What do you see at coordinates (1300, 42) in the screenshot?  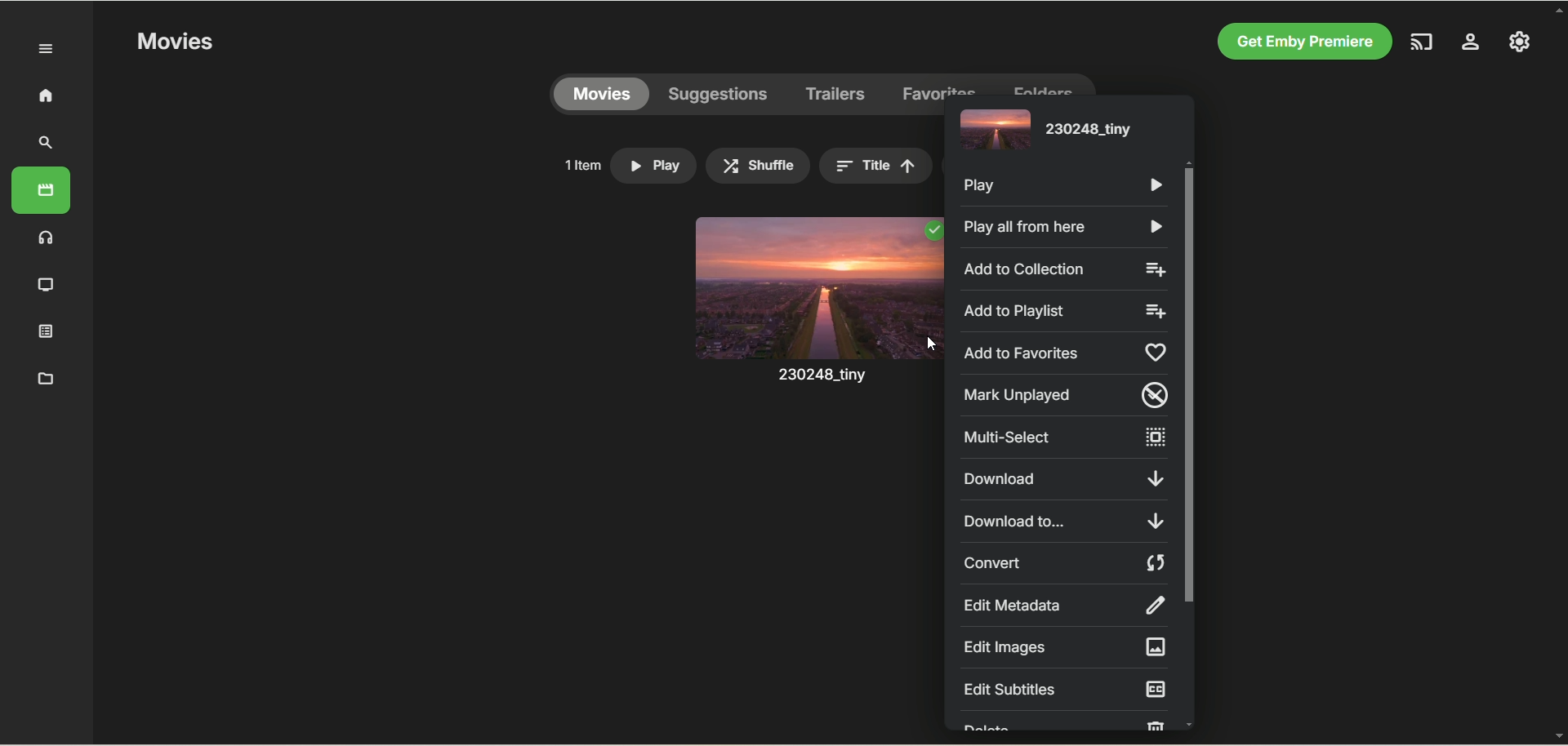 I see `get emby premiere` at bounding box center [1300, 42].